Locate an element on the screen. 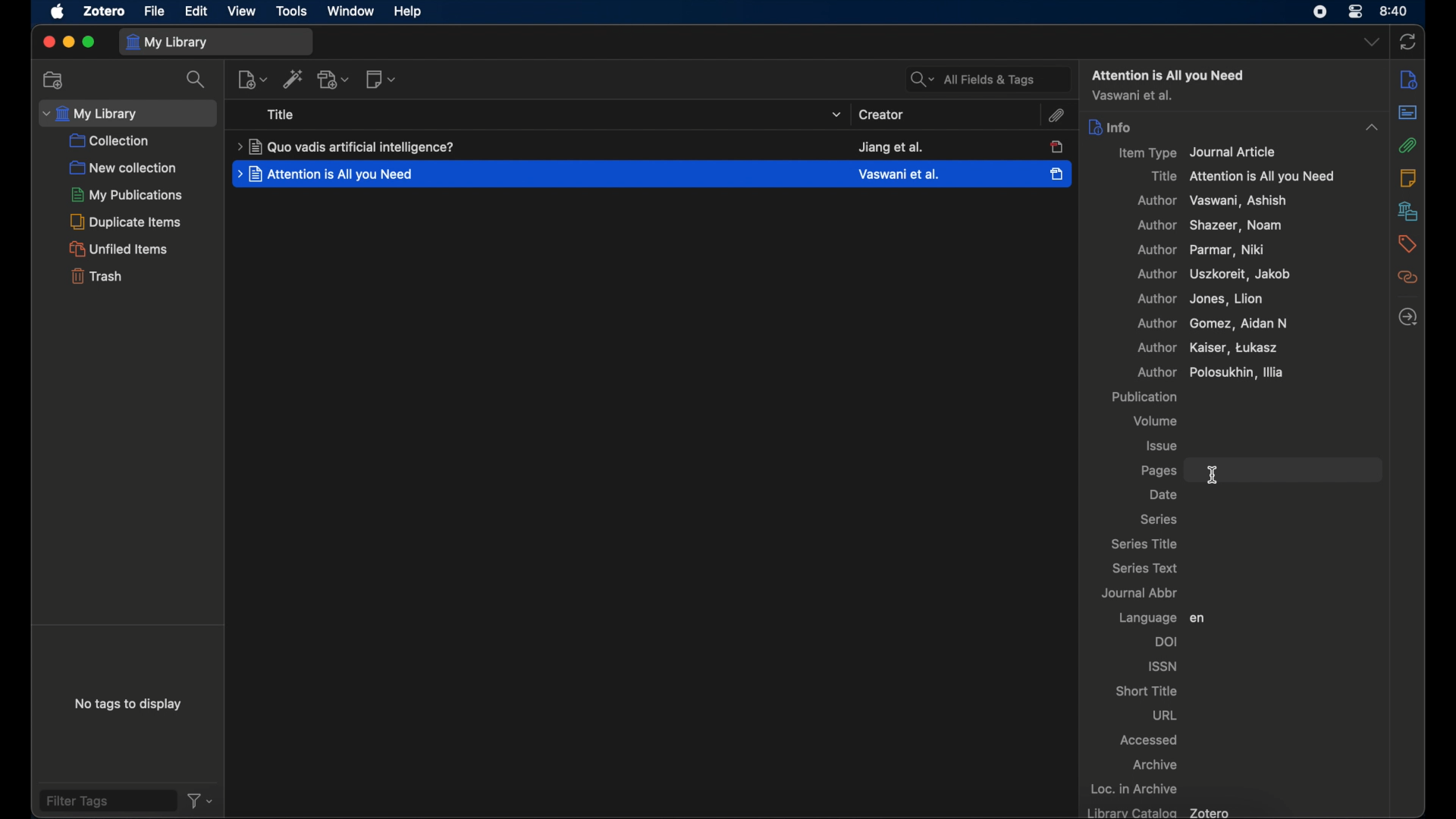  url is located at coordinates (1166, 717).